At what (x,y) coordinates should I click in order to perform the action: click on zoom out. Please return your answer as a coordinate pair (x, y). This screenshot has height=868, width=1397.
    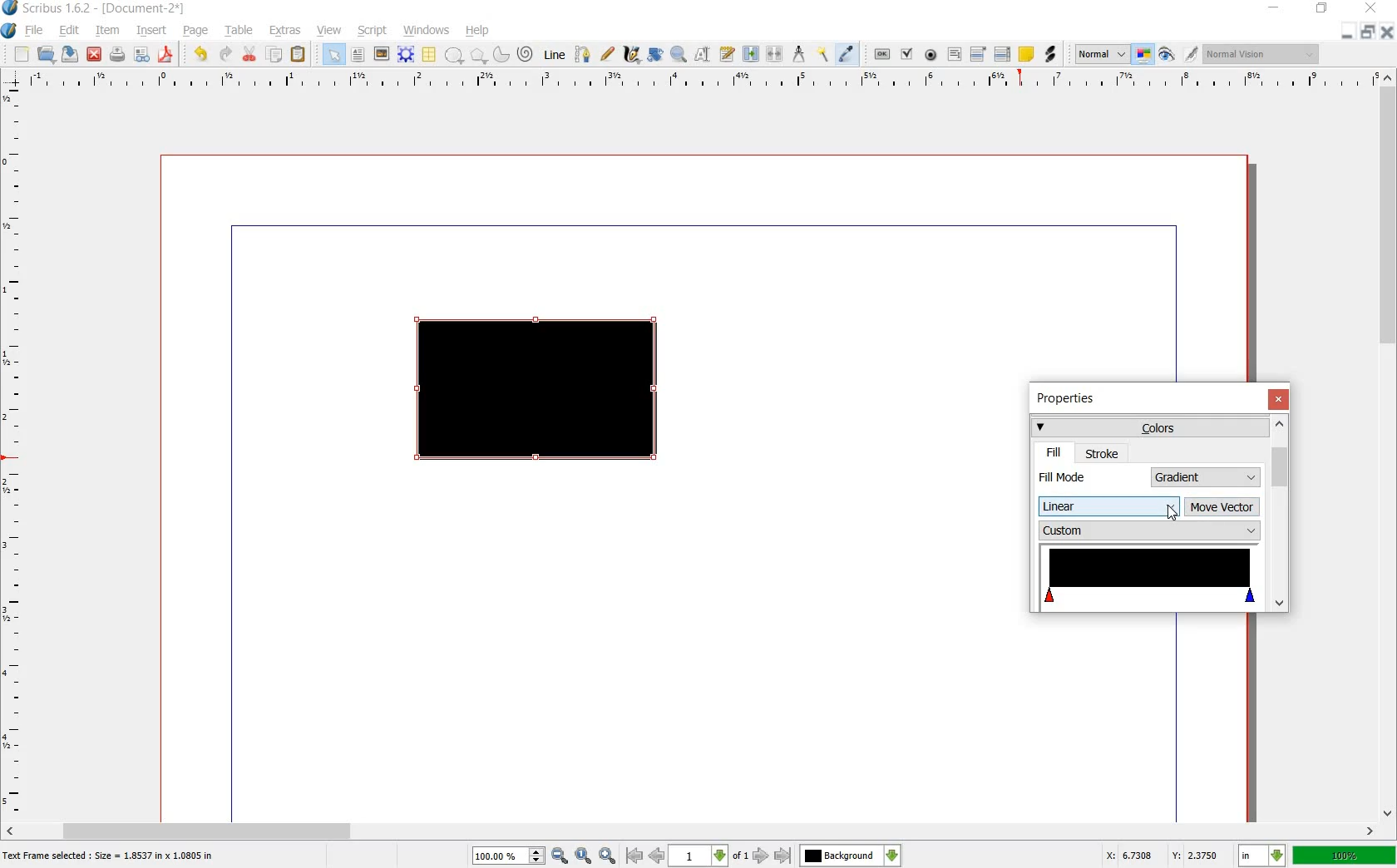
    Looking at the image, I should click on (560, 856).